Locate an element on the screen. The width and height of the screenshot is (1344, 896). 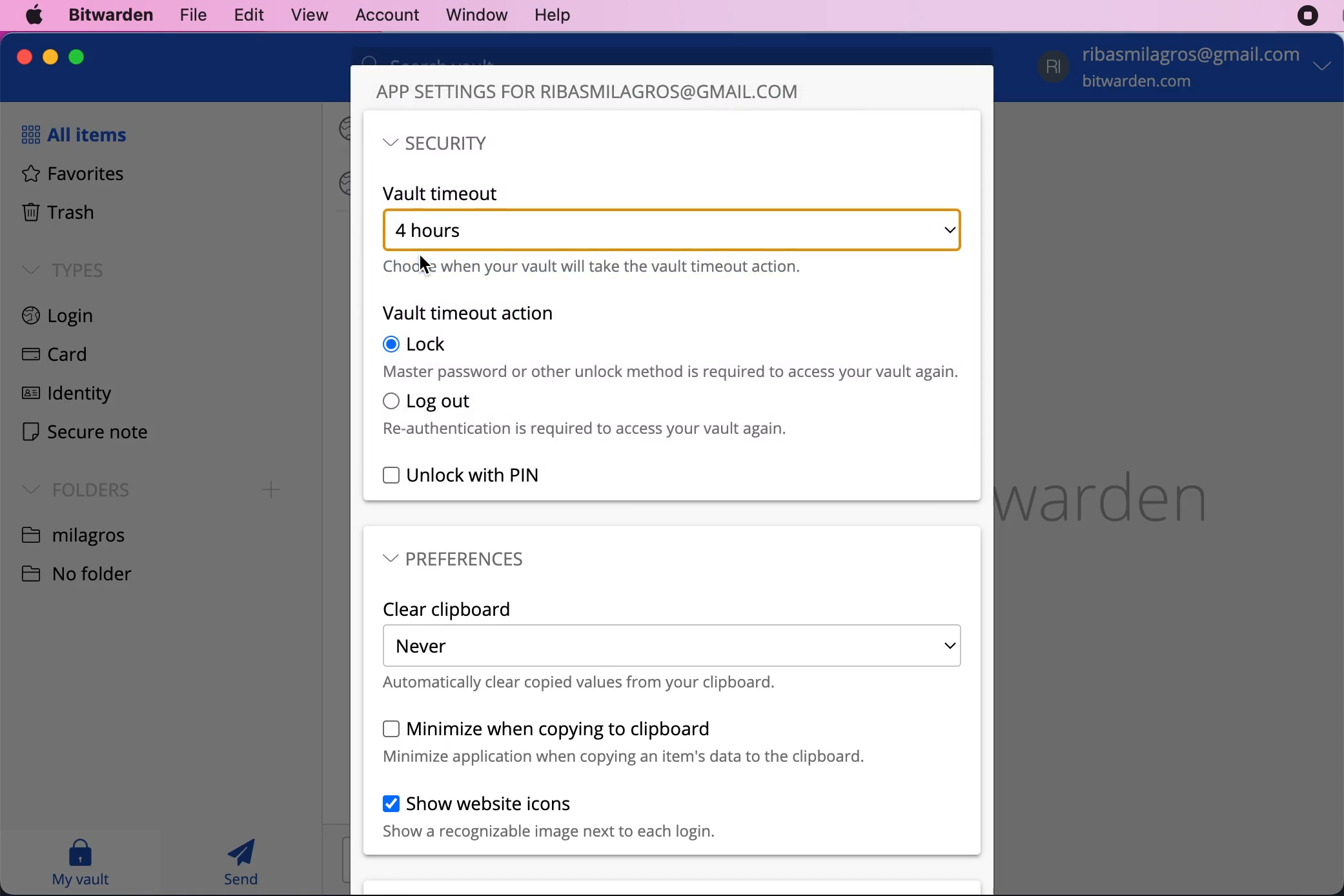
Cursor is located at coordinates (425, 264).